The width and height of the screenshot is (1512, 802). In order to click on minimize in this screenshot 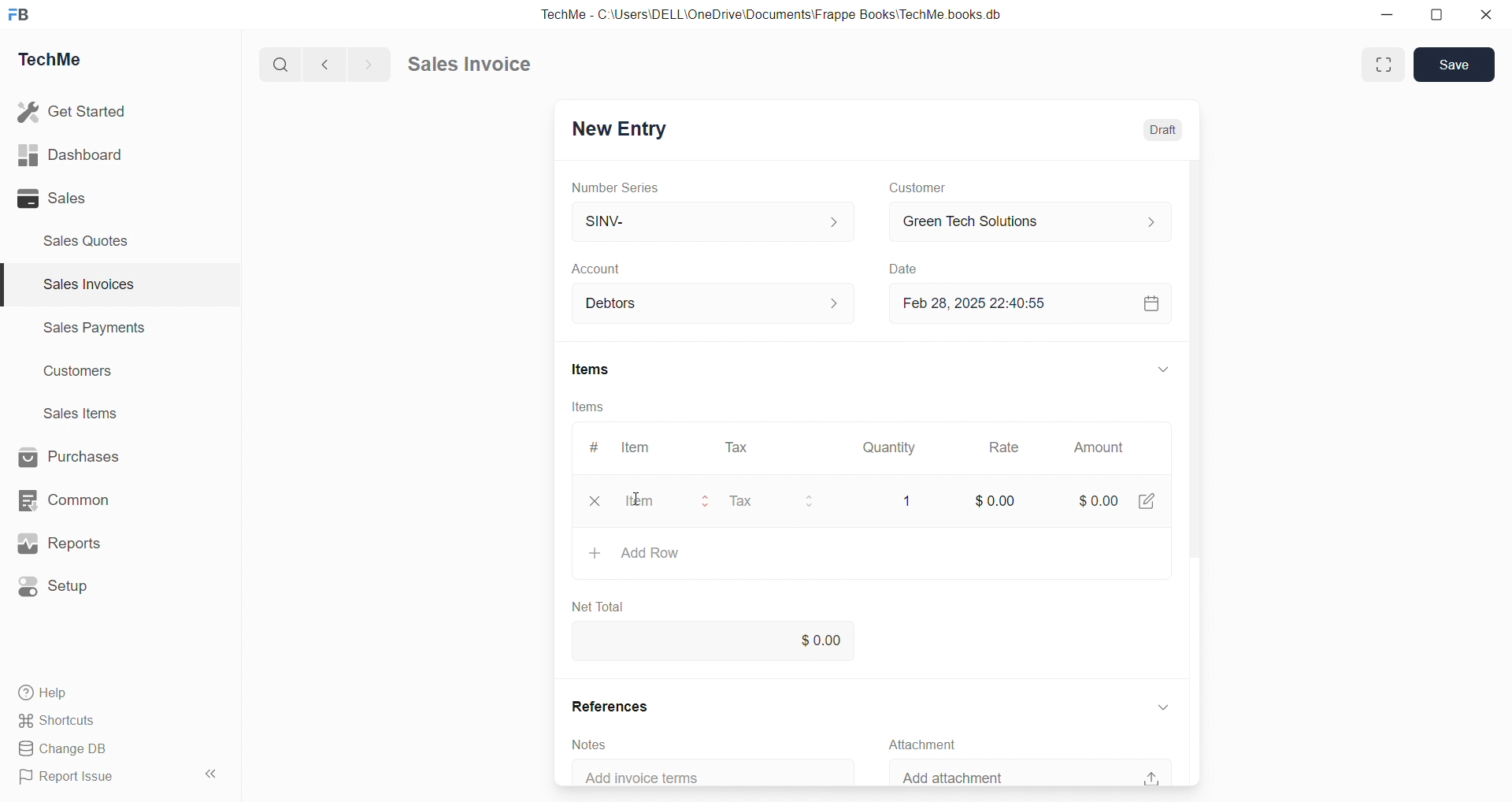, I will do `click(1386, 14)`.